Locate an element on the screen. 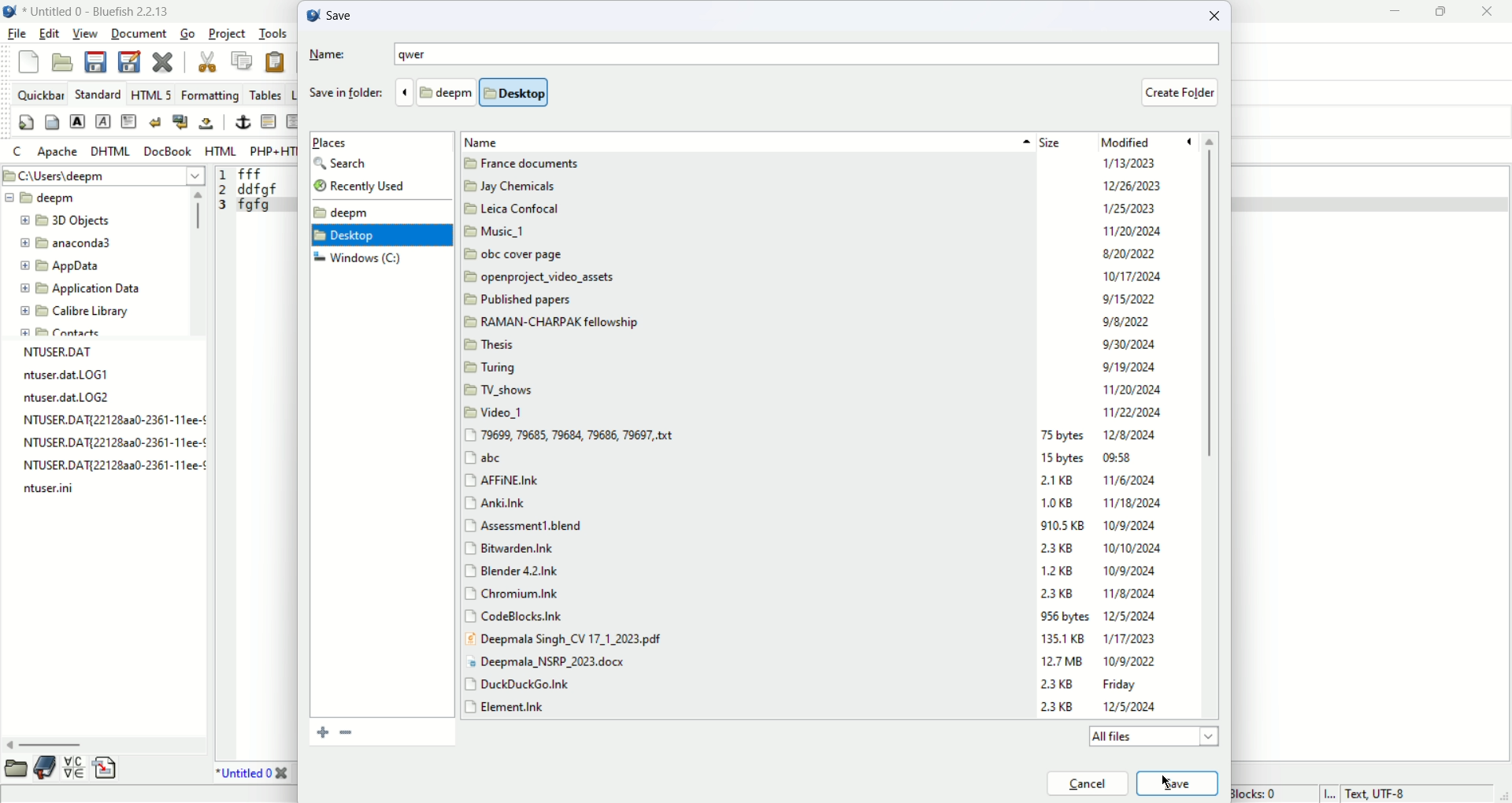 This screenshot has height=803, width=1512. DHTML is located at coordinates (109, 150).